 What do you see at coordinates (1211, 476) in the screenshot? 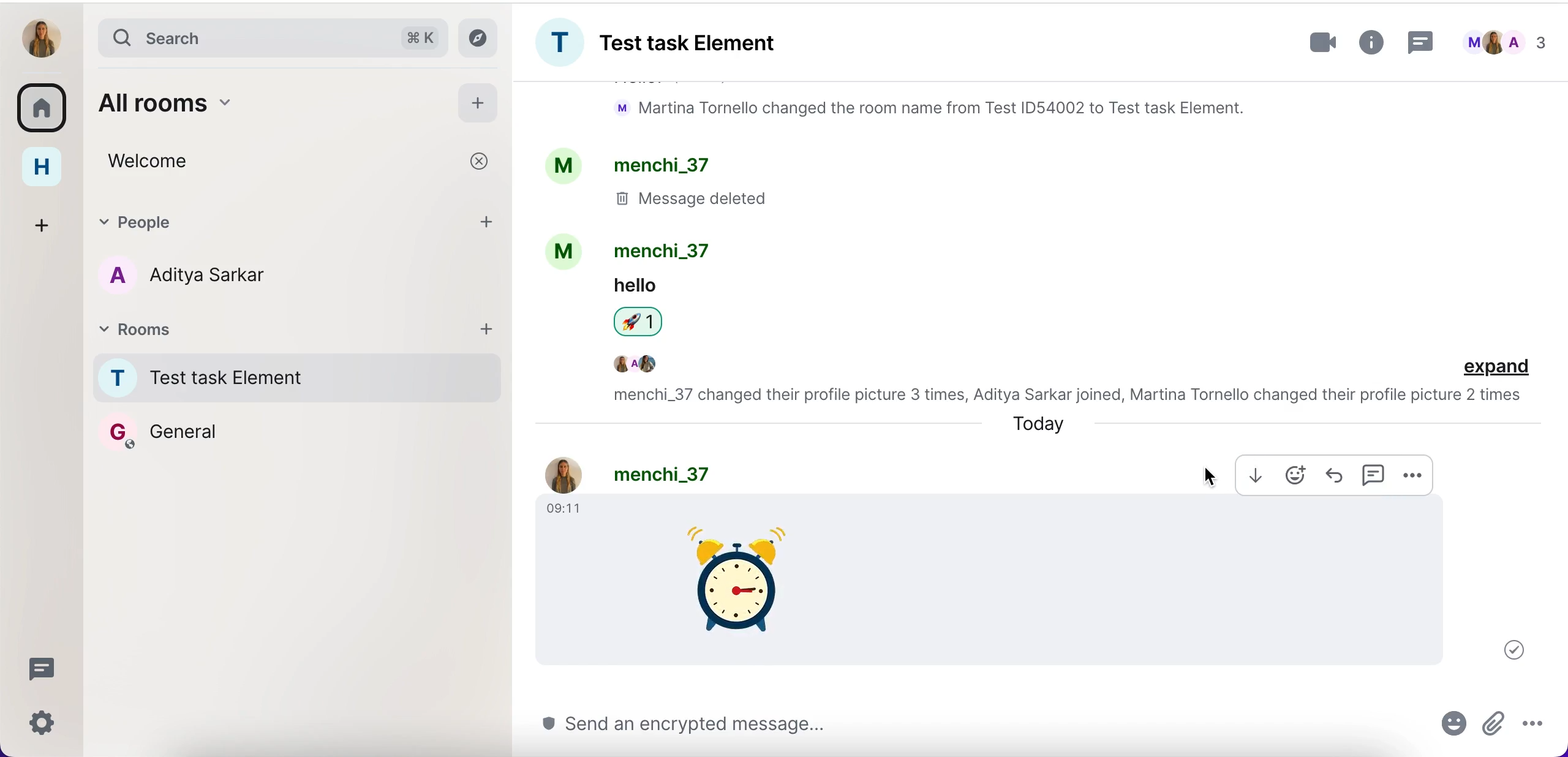
I see `cursor` at bounding box center [1211, 476].